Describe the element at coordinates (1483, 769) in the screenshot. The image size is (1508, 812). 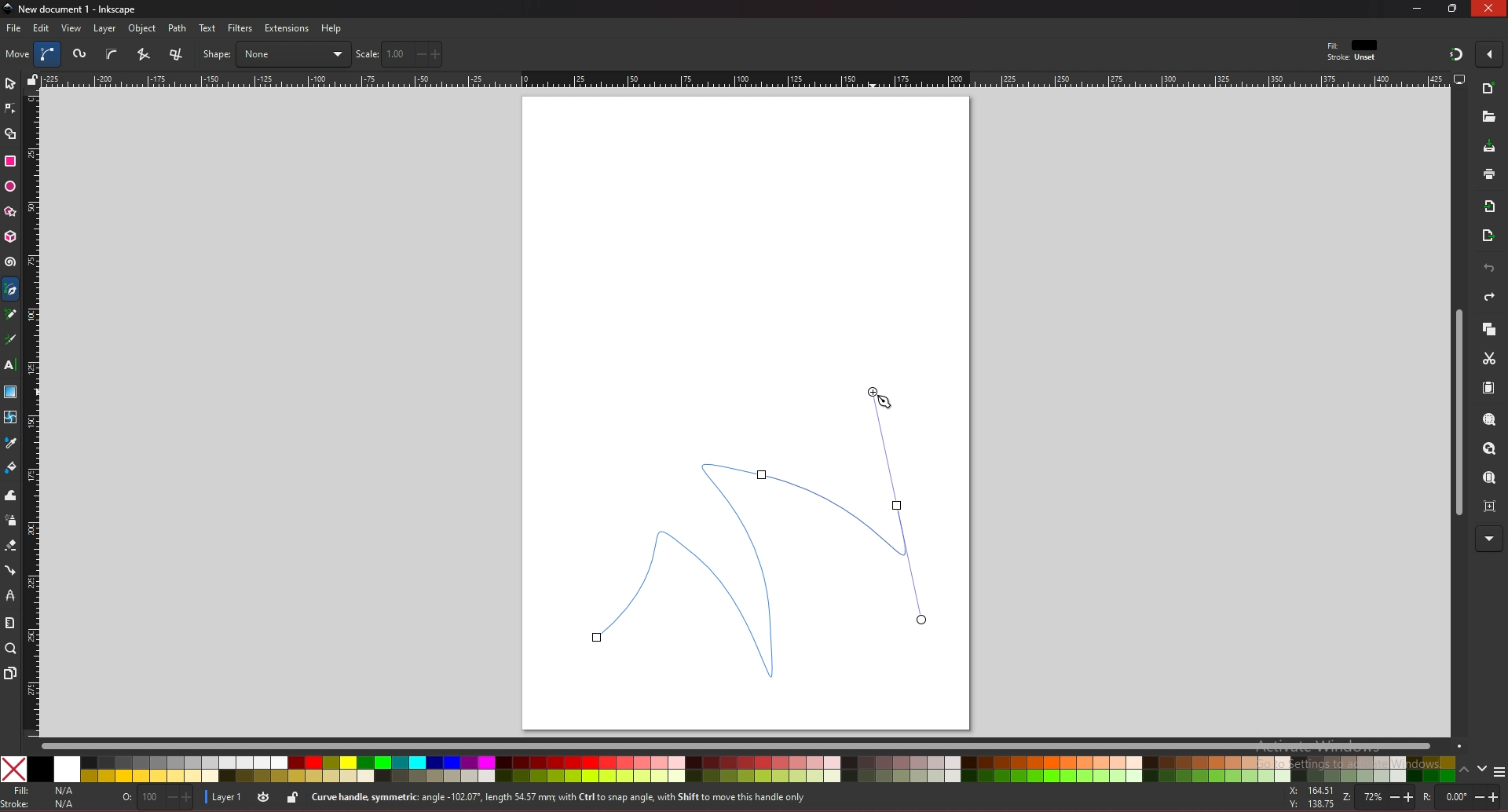
I see `down` at that location.